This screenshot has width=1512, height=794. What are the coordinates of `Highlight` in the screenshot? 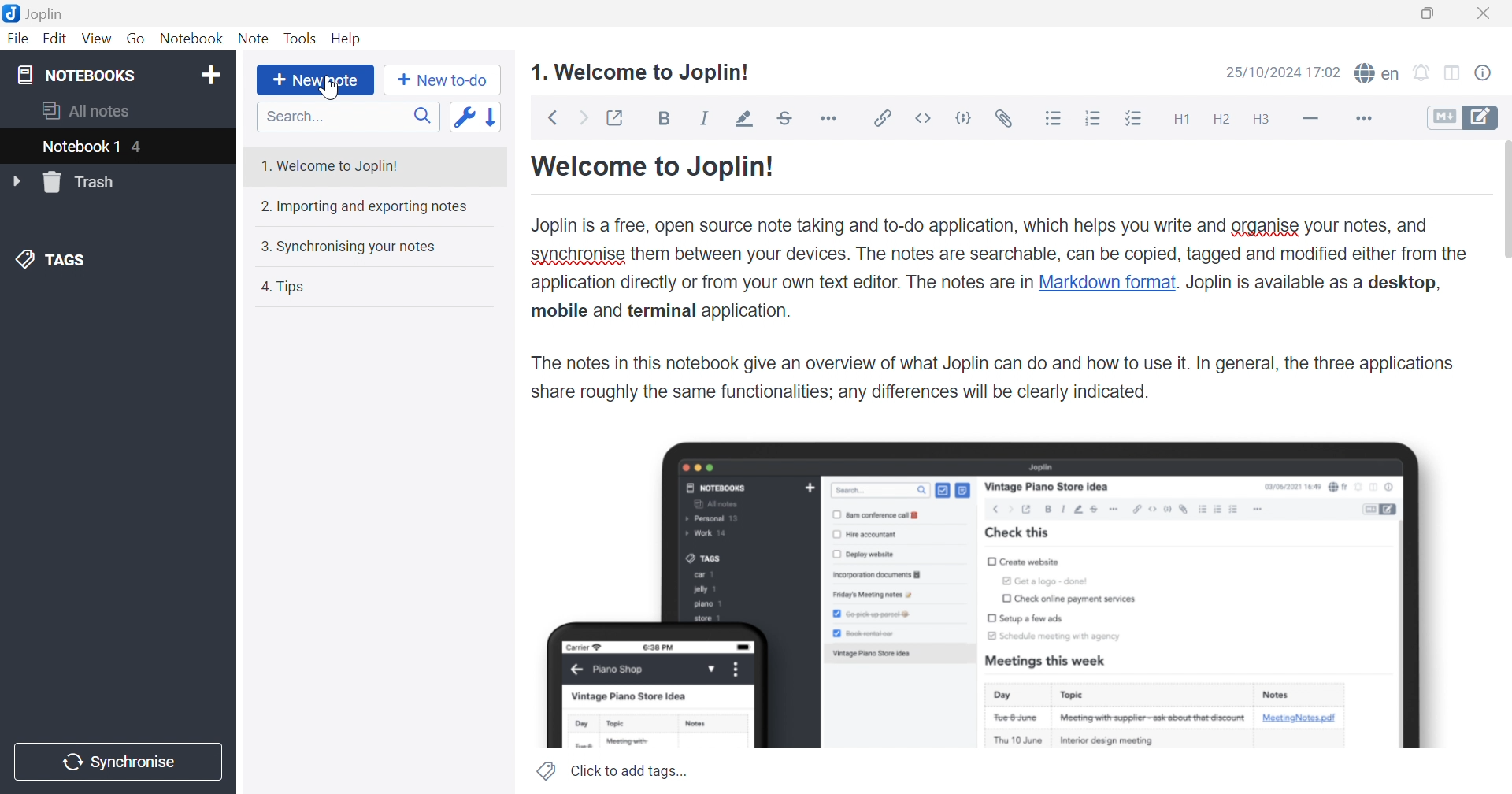 It's located at (743, 118).